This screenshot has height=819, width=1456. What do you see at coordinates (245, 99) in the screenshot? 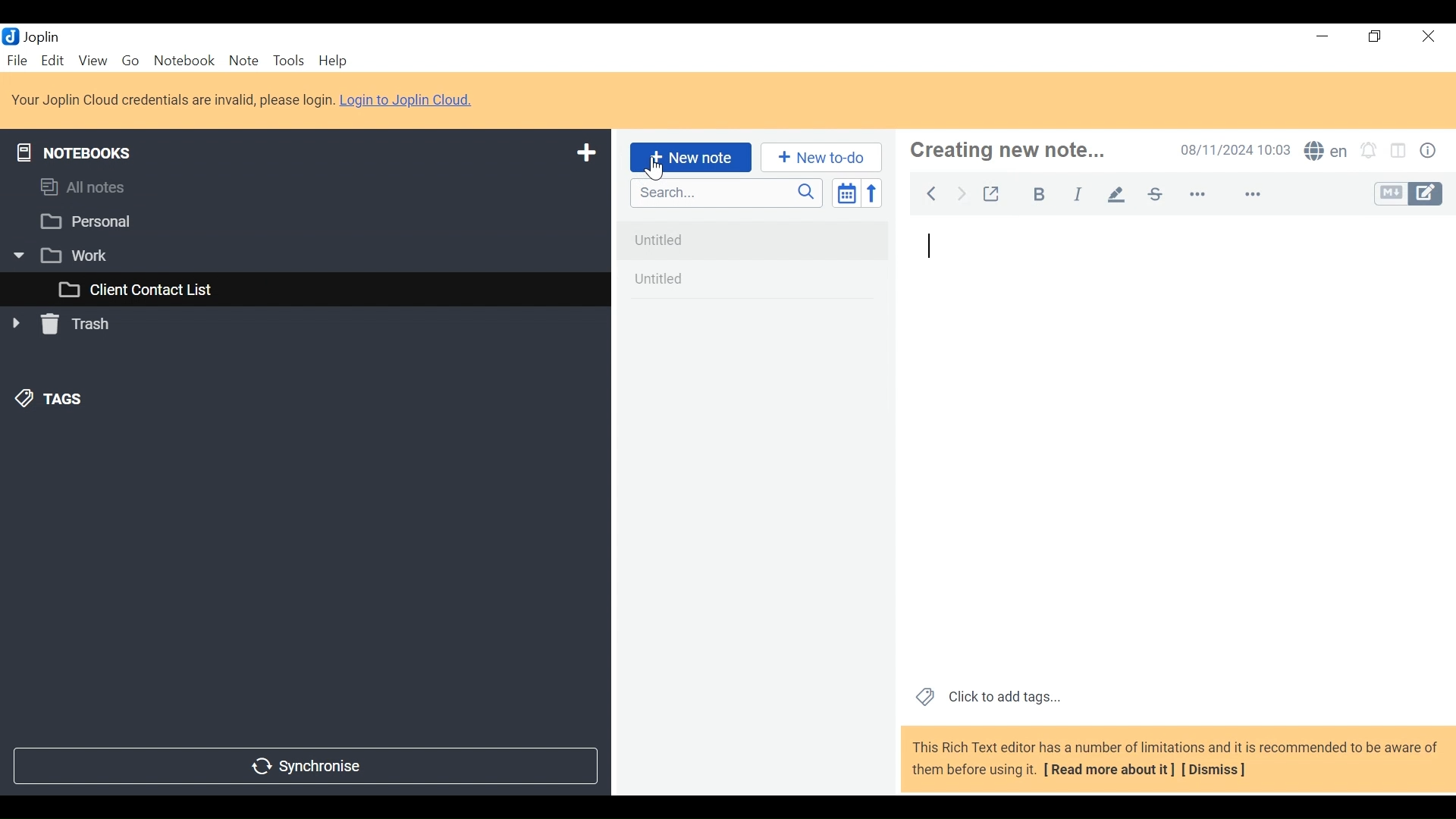
I see `Your Joplin Cloud credentials are invalid, please login. Login to Joplin Cloud.` at bounding box center [245, 99].